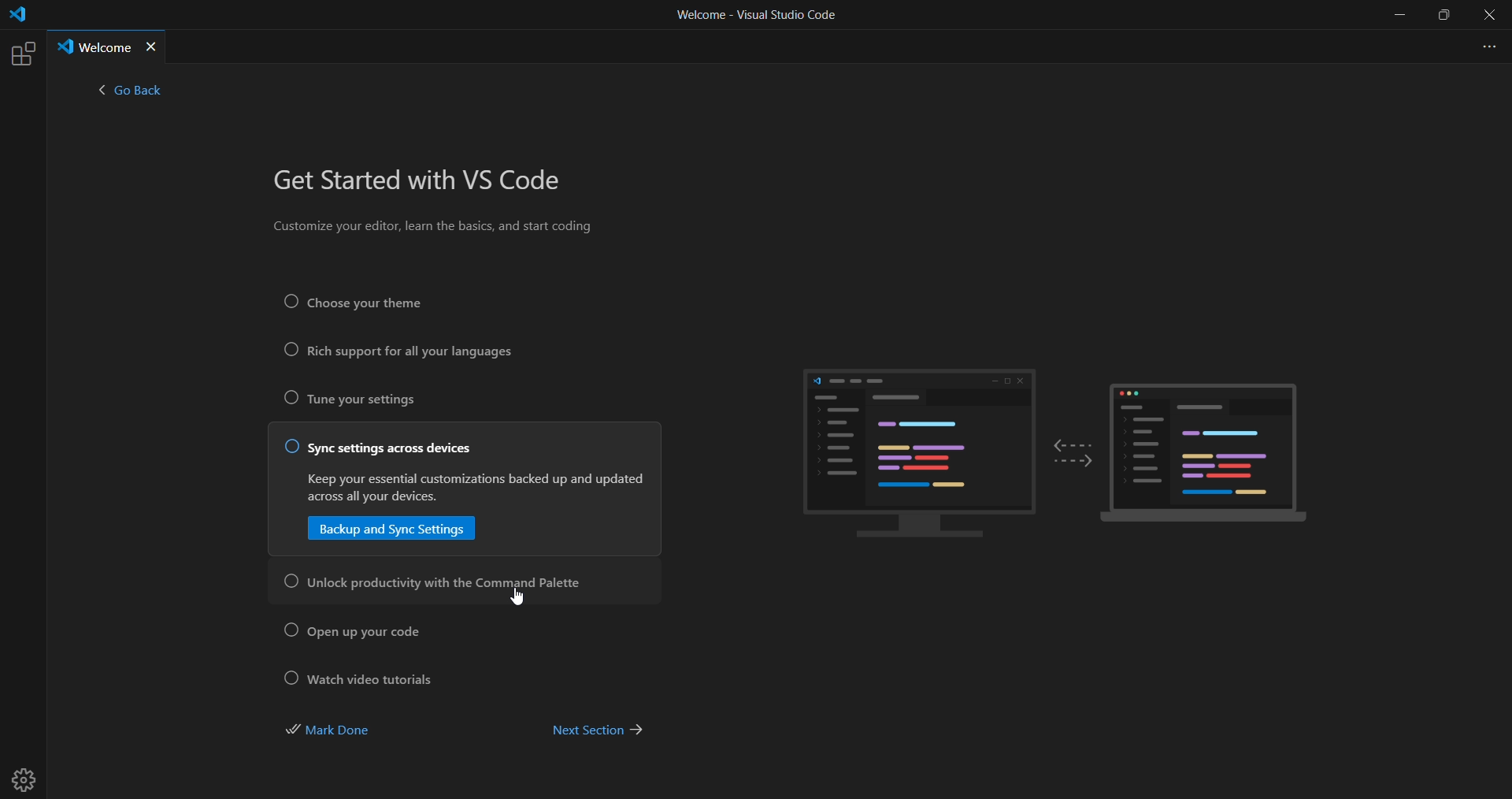  Describe the element at coordinates (21, 54) in the screenshot. I see `extensions` at that location.